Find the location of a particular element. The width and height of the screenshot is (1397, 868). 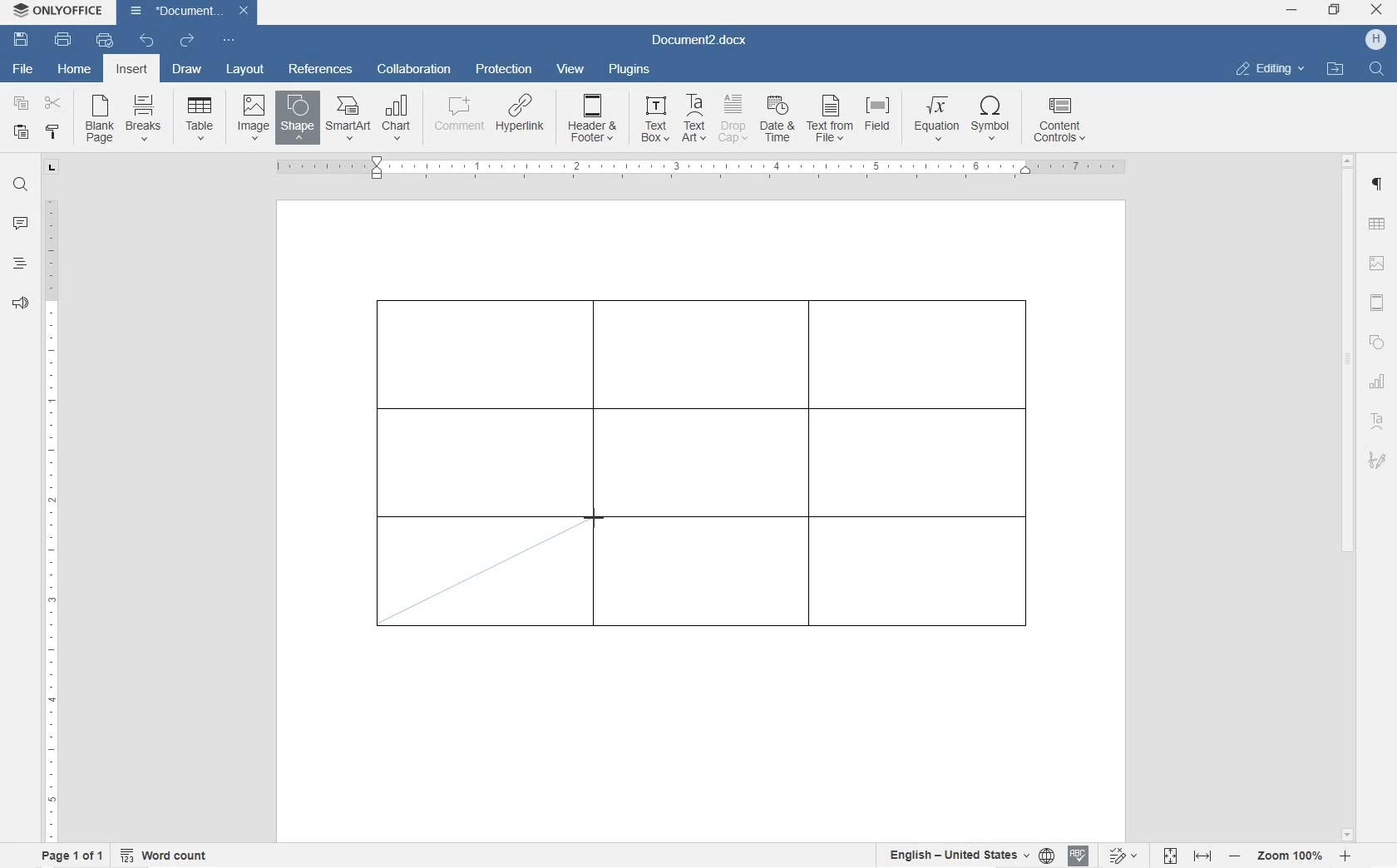

save is located at coordinates (22, 40).